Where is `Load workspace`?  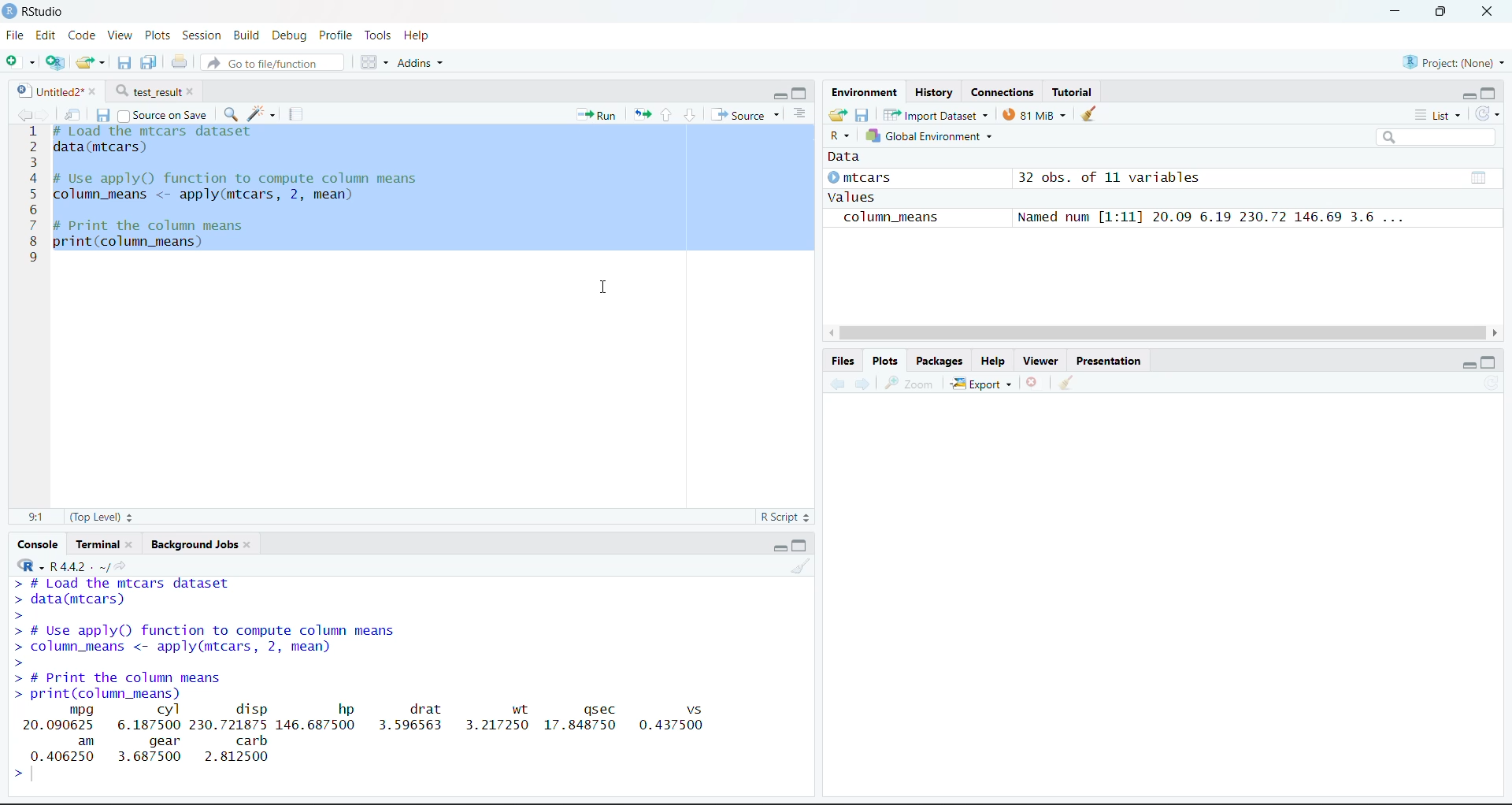 Load workspace is located at coordinates (836, 116).